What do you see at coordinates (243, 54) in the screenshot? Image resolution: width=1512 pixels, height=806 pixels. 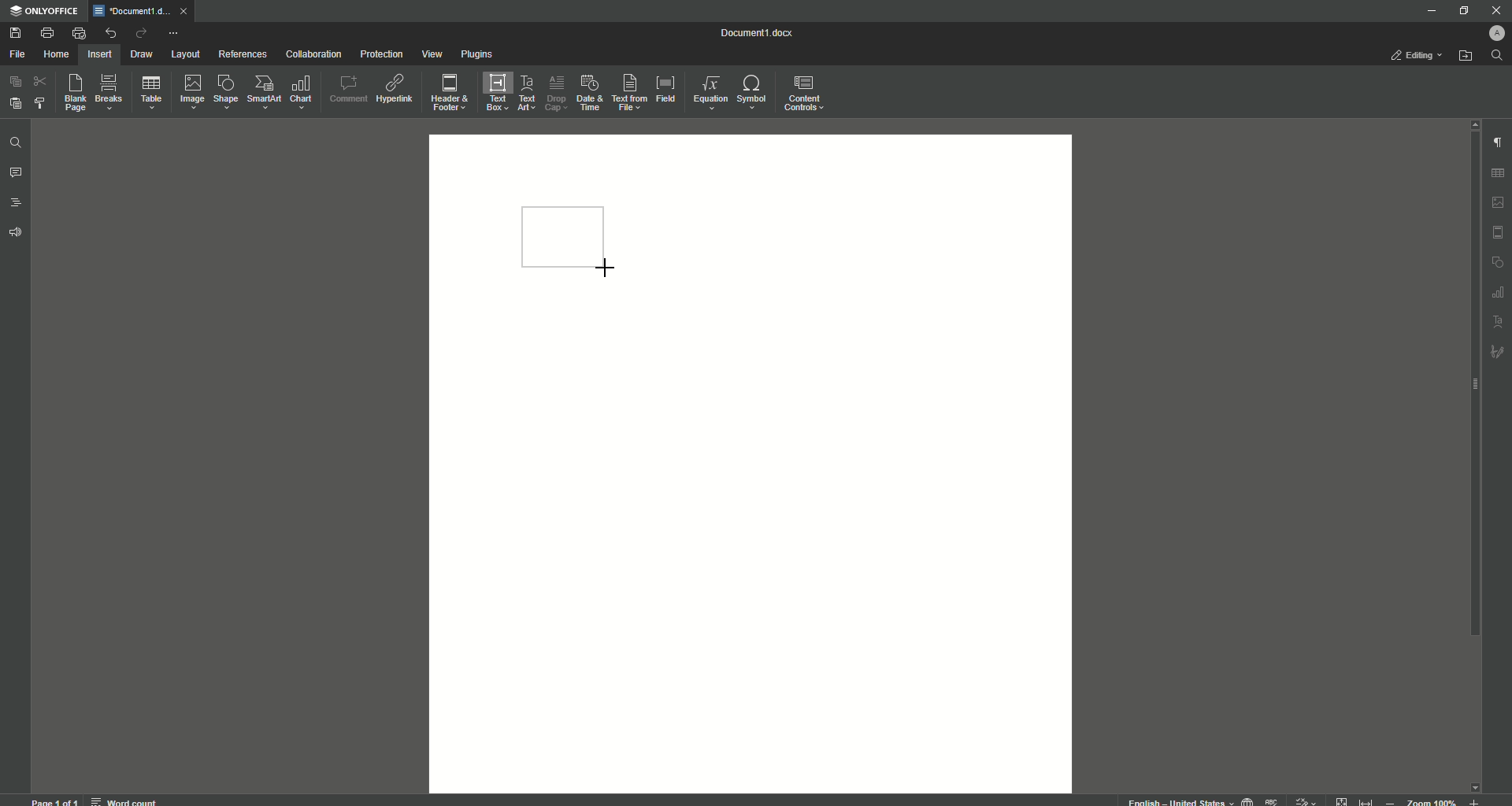 I see `References` at bounding box center [243, 54].